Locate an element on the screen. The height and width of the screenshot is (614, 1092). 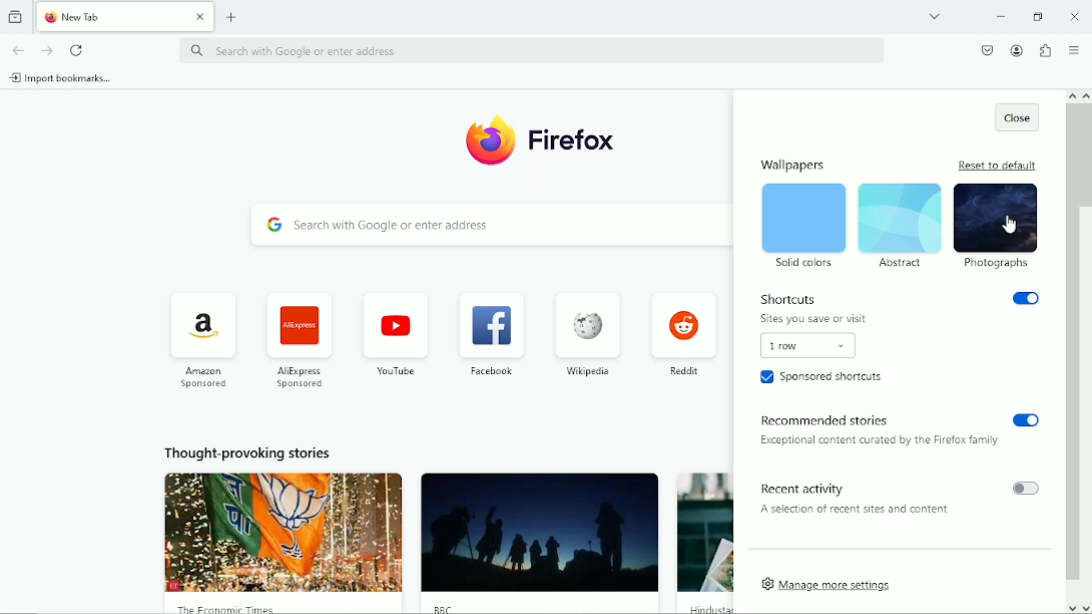
Go back is located at coordinates (17, 49).